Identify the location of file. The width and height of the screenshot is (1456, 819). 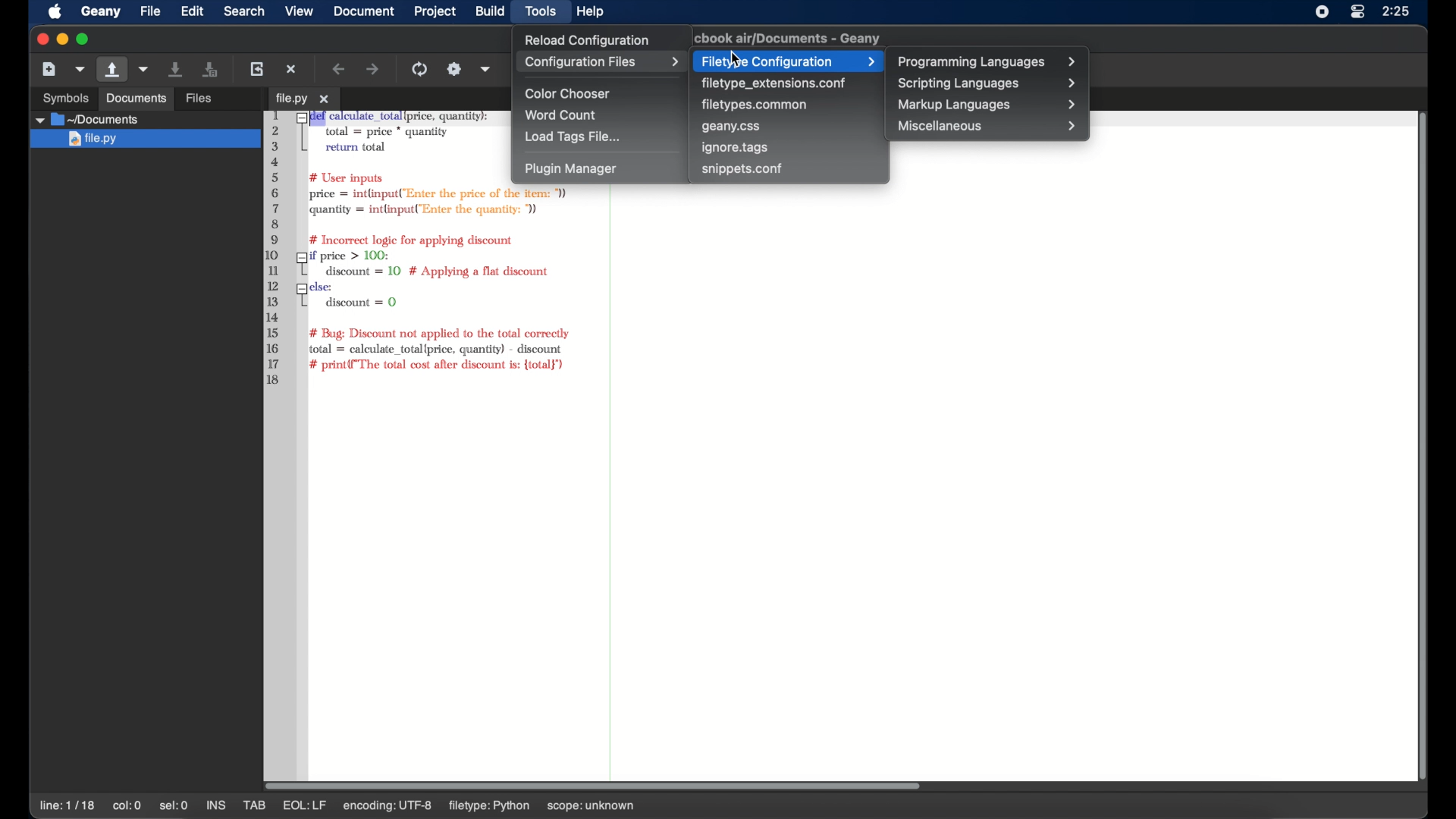
(150, 11).